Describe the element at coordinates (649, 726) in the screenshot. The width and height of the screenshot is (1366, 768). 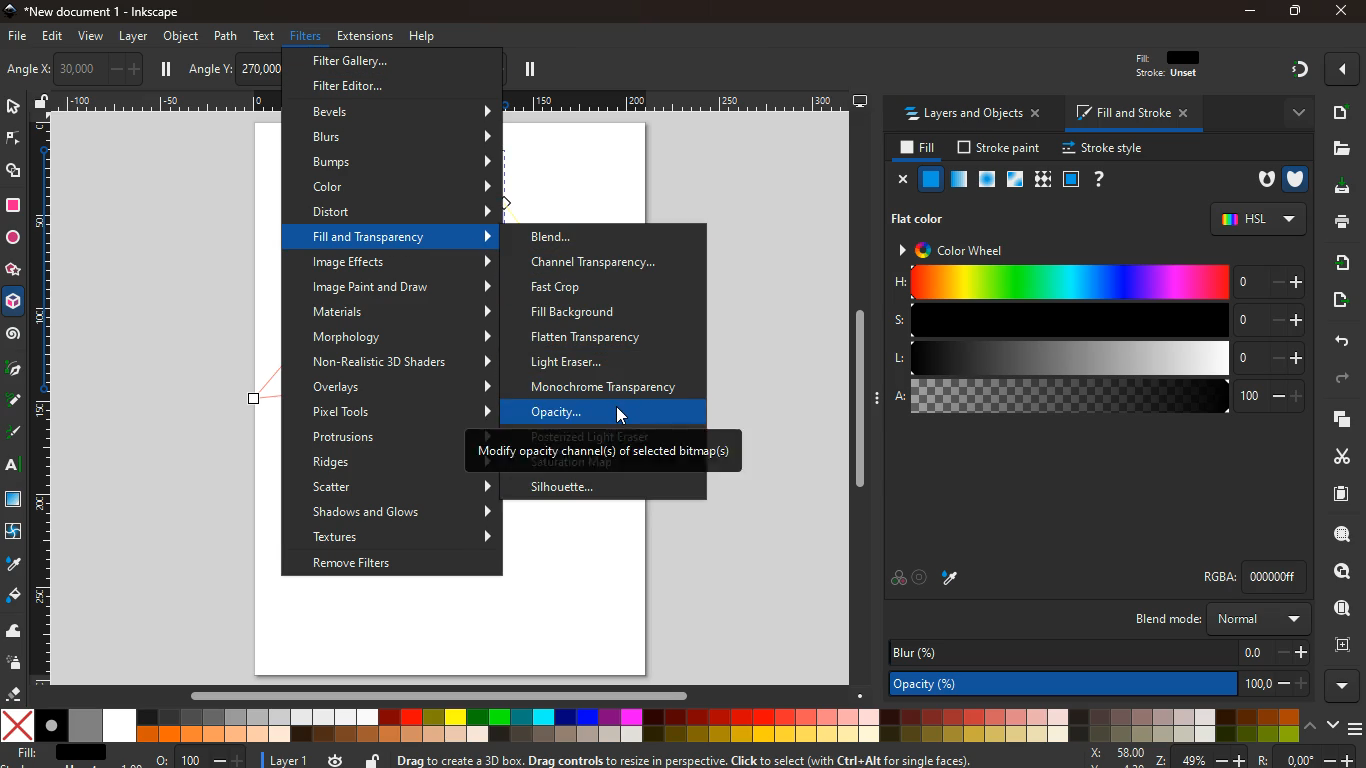
I see `color` at that location.